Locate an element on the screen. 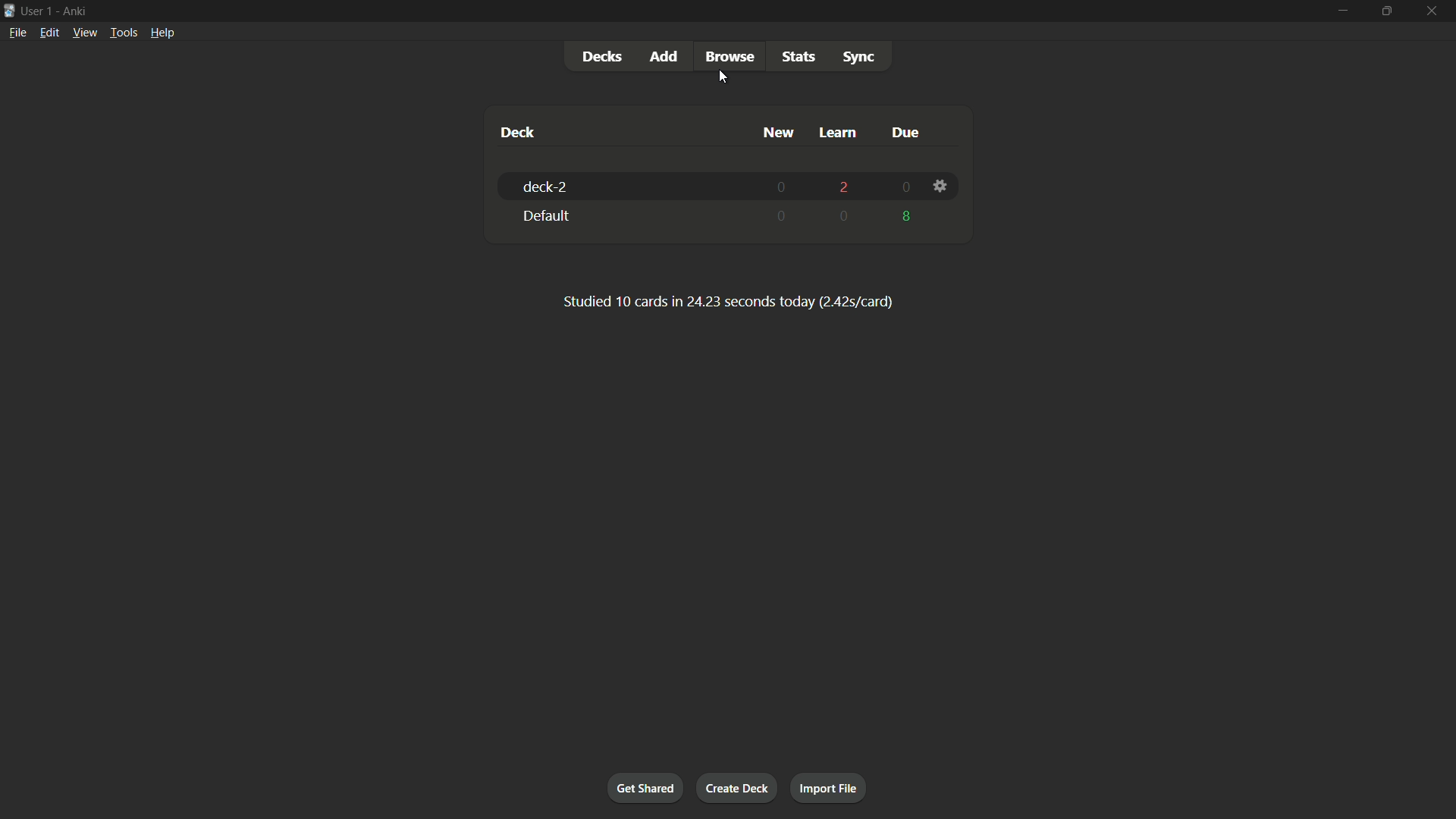 This screenshot has height=819, width=1456. stats is located at coordinates (802, 55).